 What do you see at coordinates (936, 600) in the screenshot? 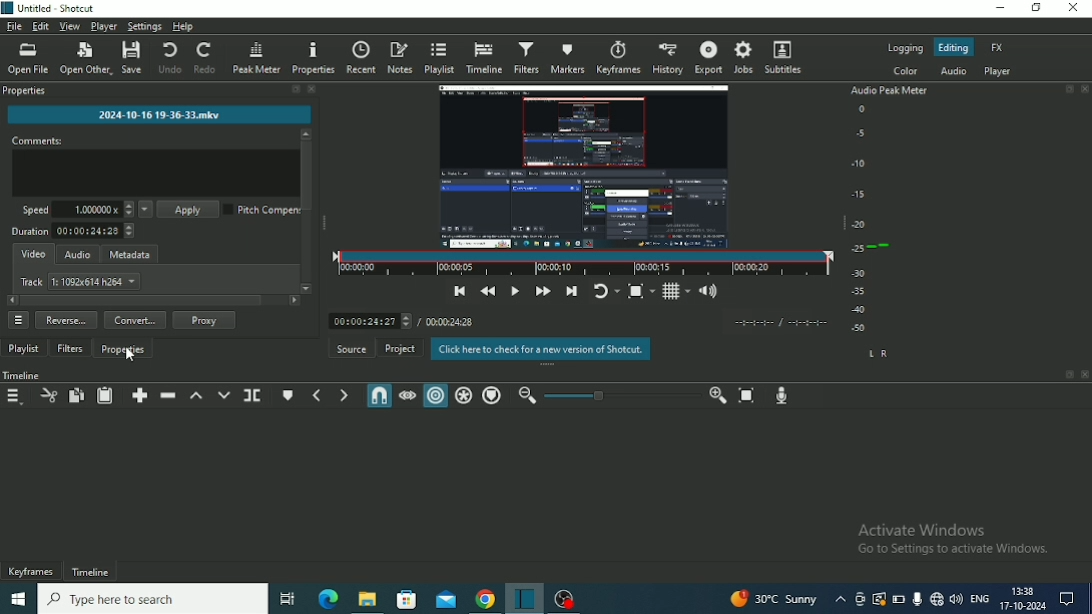
I see `Internet` at bounding box center [936, 600].